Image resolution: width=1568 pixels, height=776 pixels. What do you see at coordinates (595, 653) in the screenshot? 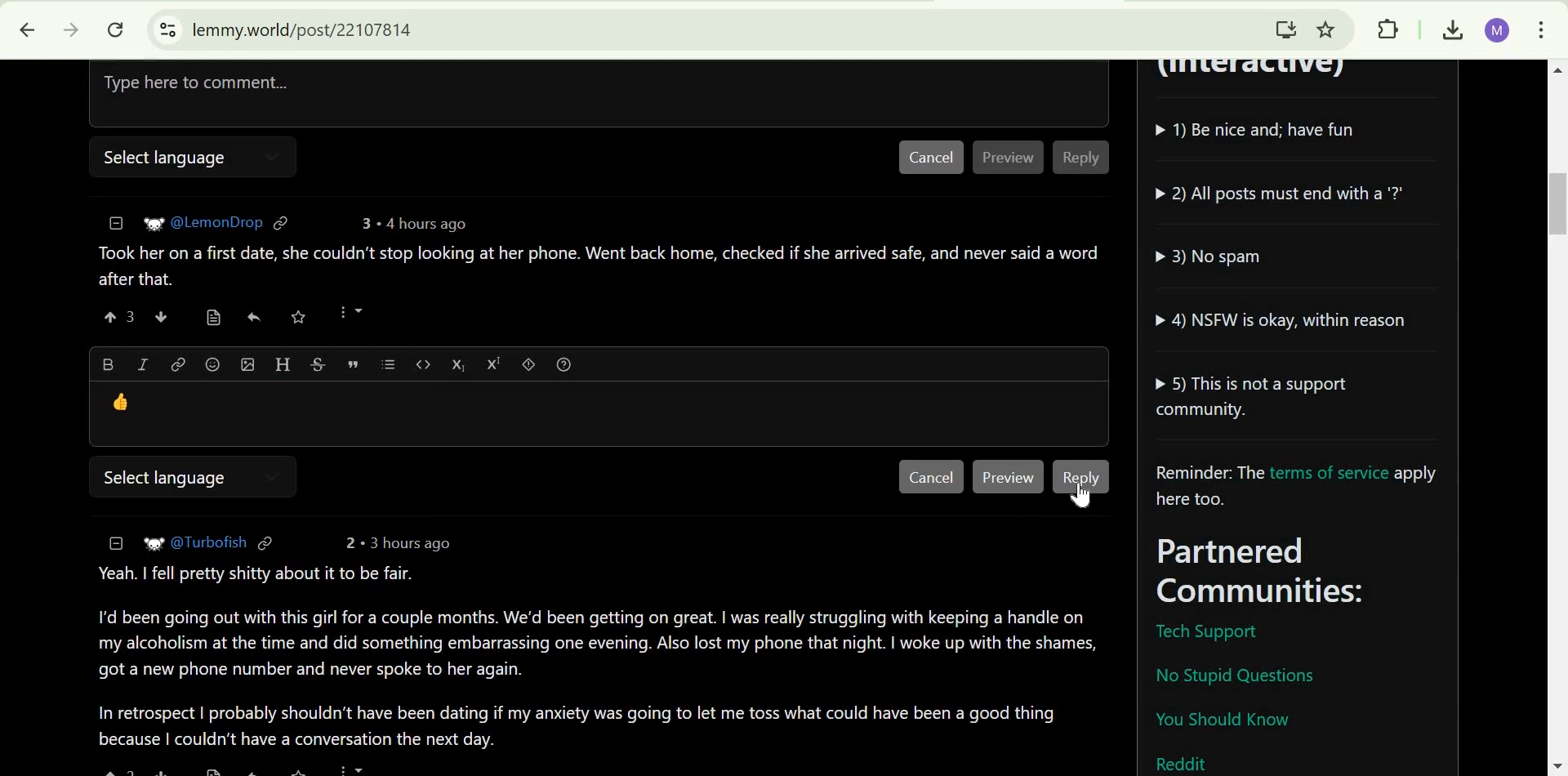
I see `Comment` at bounding box center [595, 653].